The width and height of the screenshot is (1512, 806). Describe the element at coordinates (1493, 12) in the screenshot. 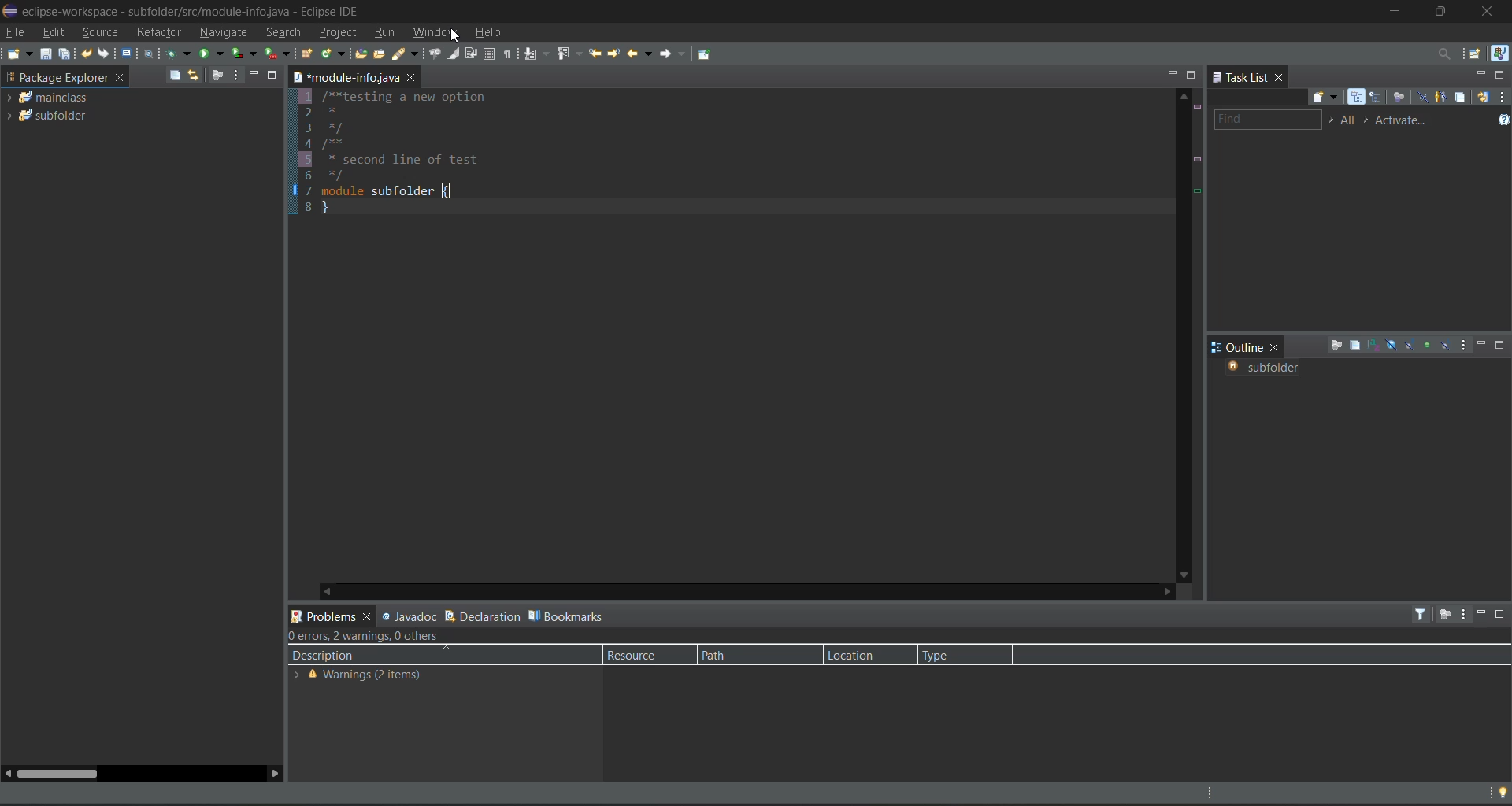

I see `close` at that location.